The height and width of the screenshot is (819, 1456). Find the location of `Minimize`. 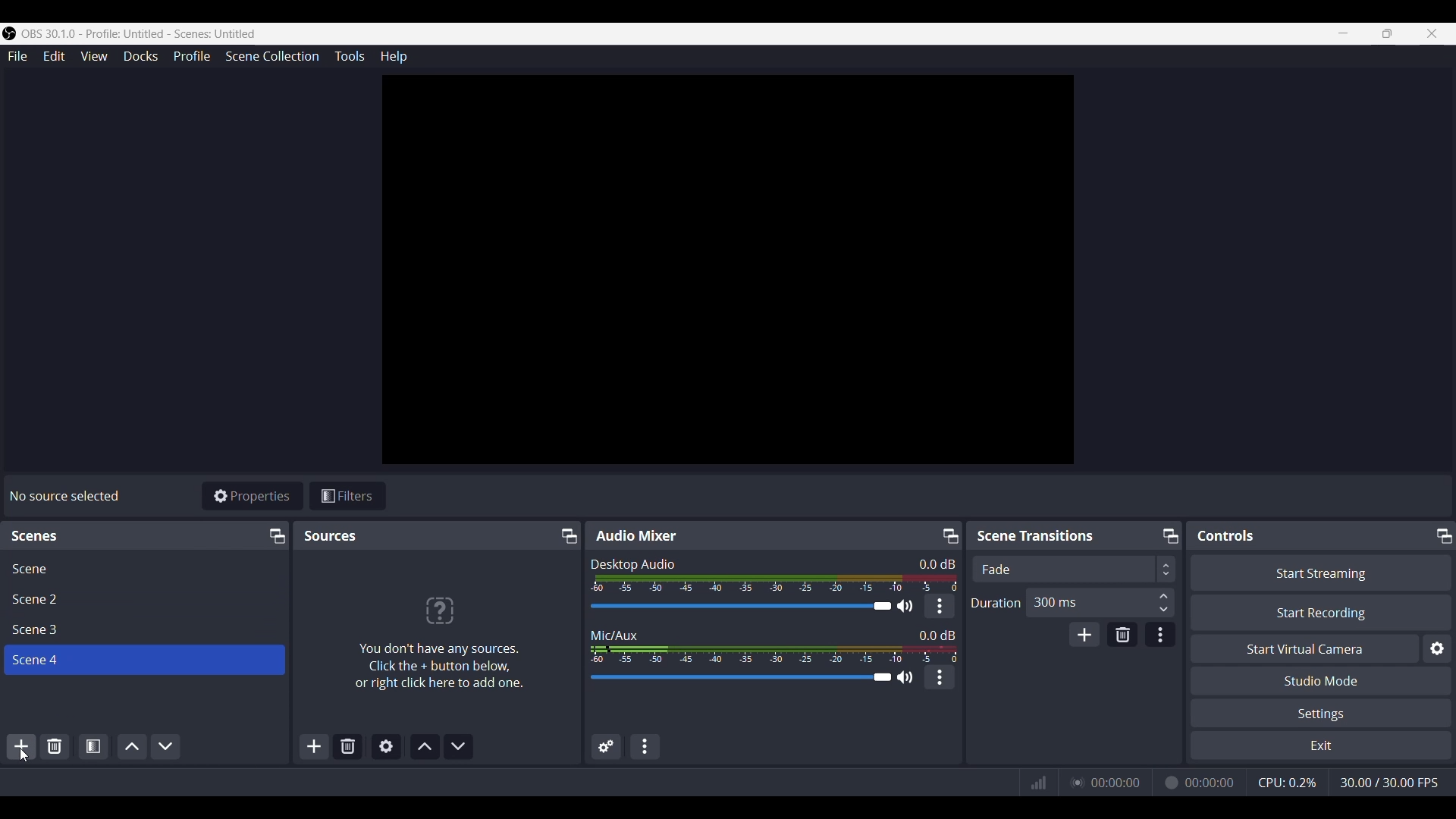

Minimize is located at coordinates (277, 536).